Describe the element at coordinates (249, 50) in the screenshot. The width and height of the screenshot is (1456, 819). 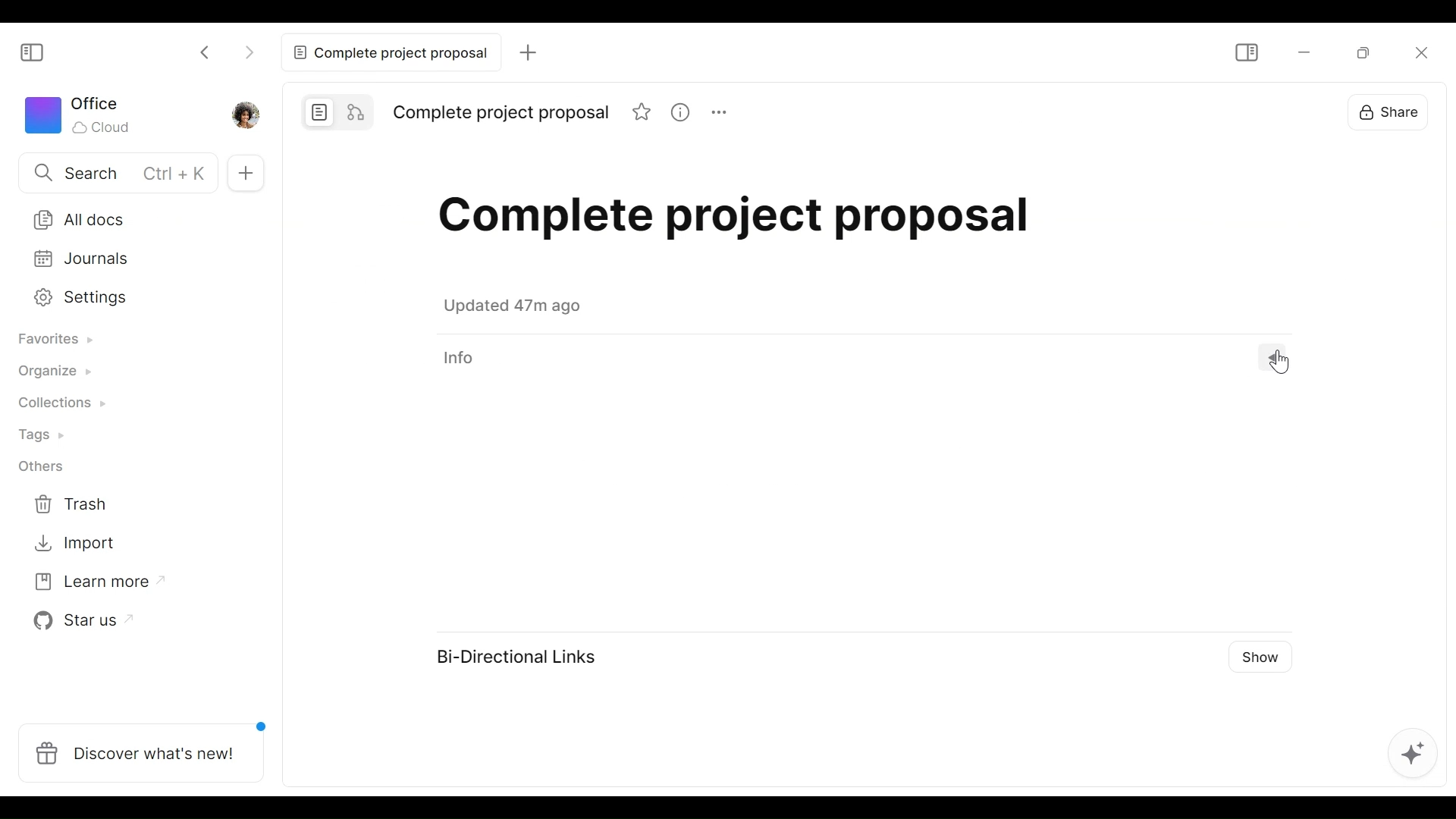
I see `Click to go forward` at that location.